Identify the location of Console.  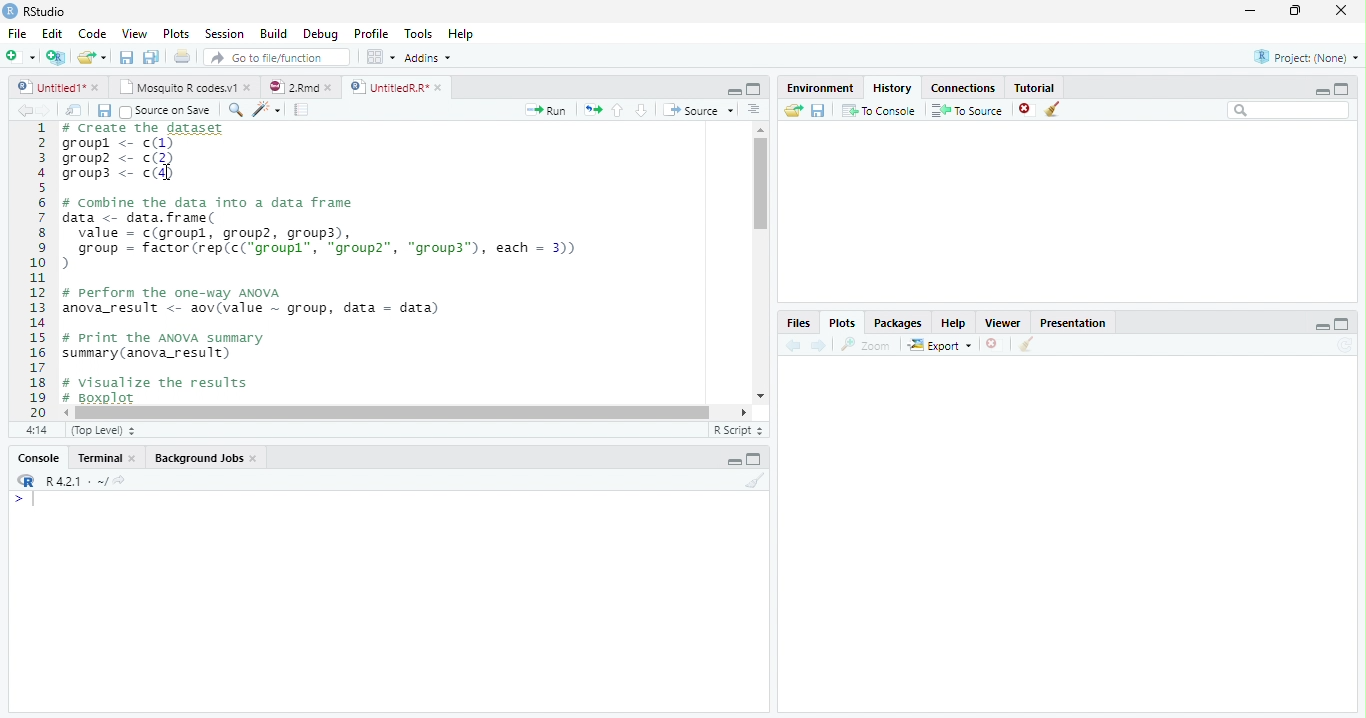
(38, 460).